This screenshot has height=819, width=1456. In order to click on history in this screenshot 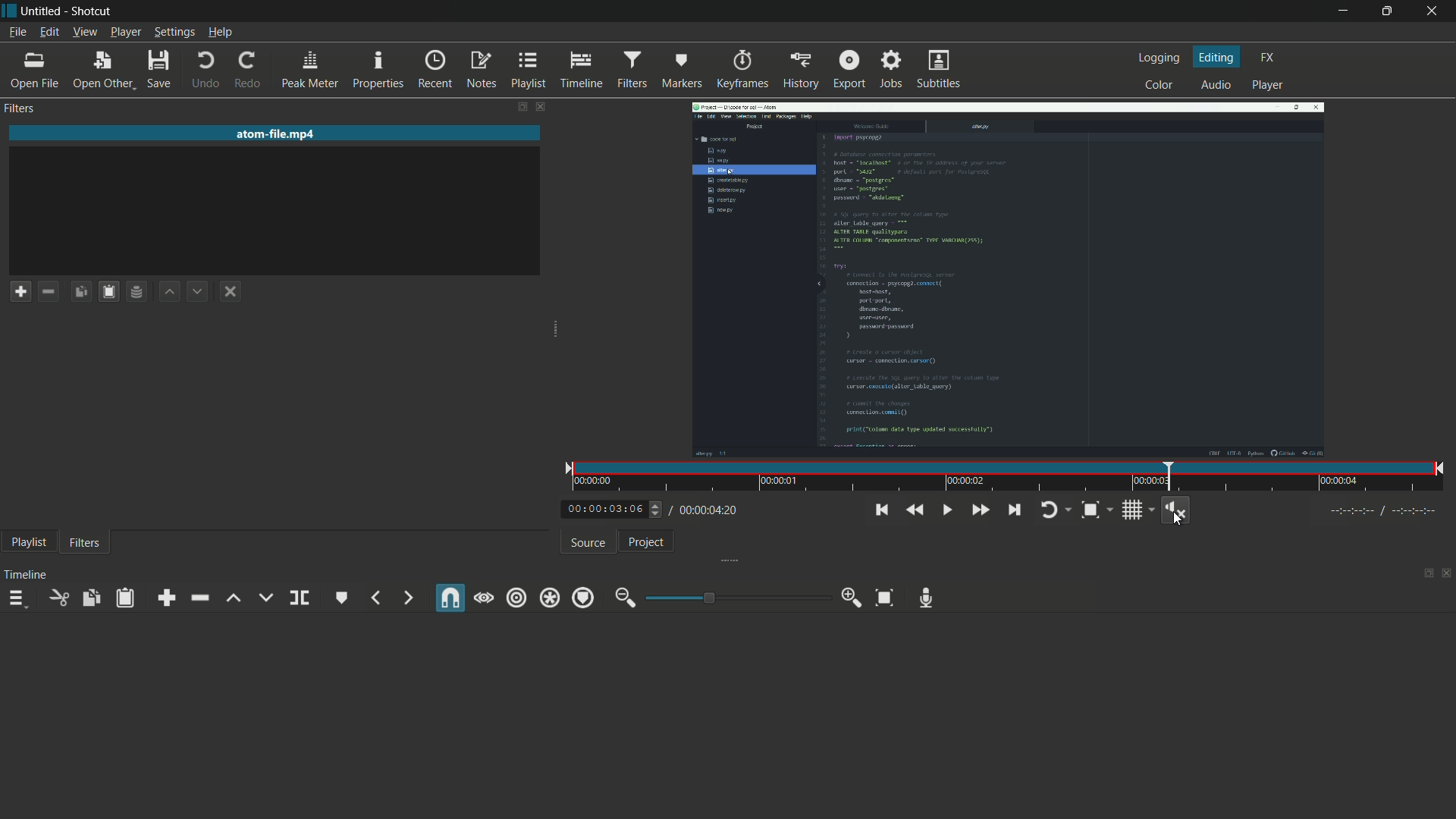, I will do `click(800, 71)`.